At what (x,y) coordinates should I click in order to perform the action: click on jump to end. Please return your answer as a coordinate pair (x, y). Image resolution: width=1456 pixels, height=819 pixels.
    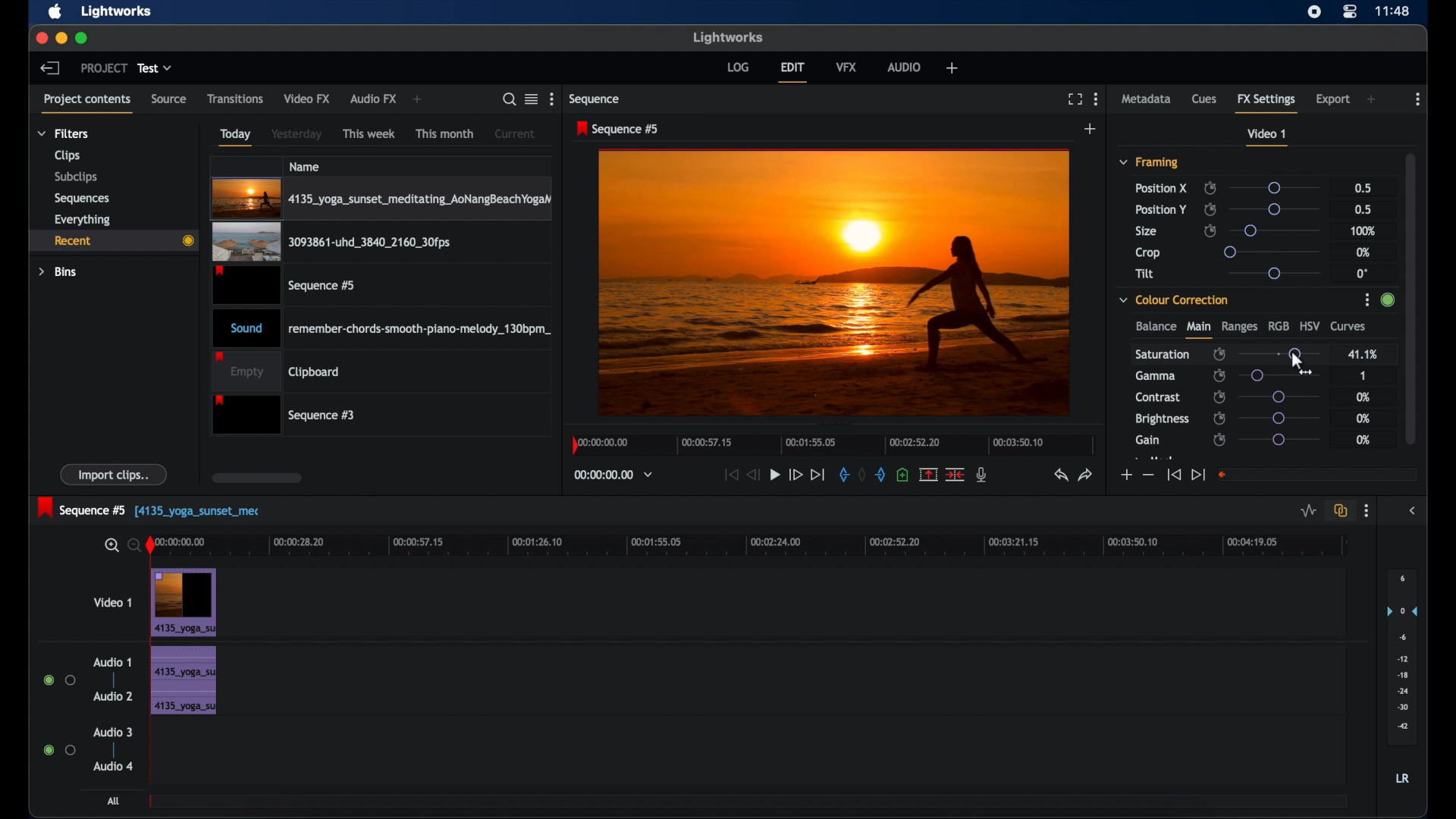
    Looking at the image, I should click on (1198, 474).